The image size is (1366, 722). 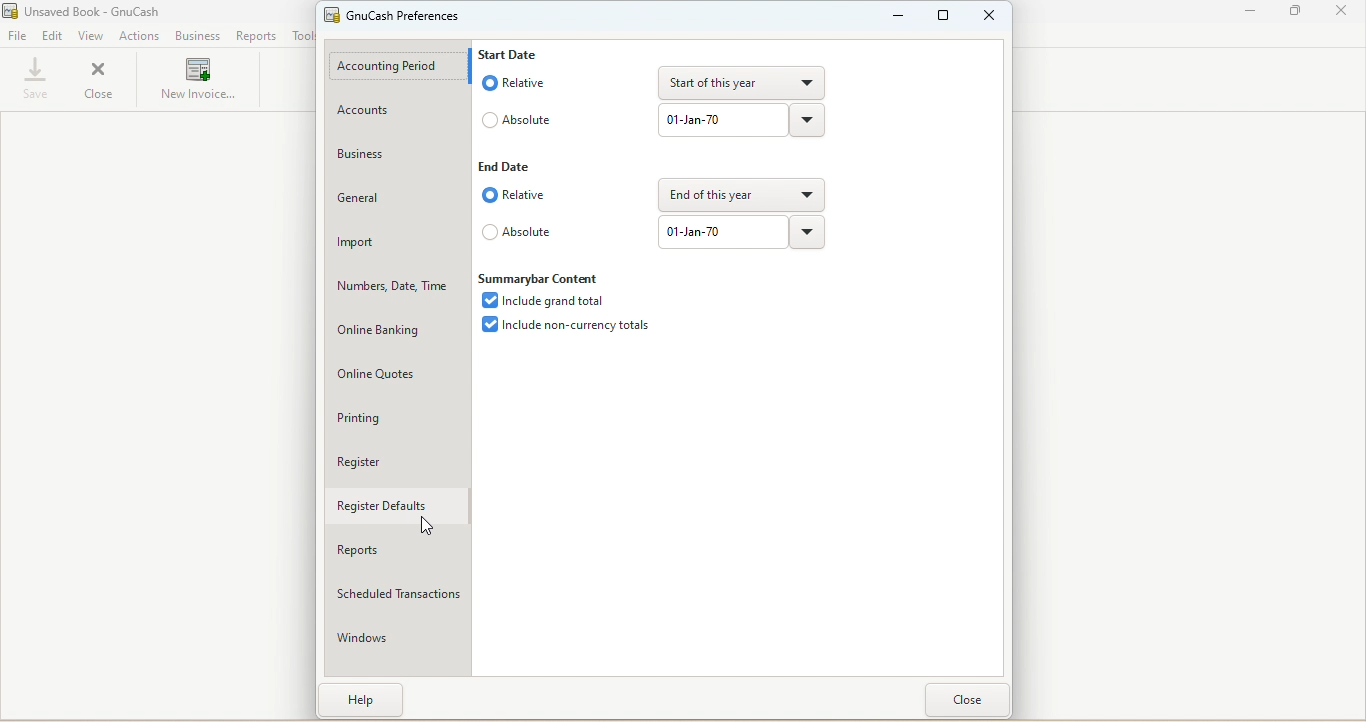 What do you see at coordinates (899, 20) in the screenshot?
I see `Minimize` at bounding box center [899, 20].